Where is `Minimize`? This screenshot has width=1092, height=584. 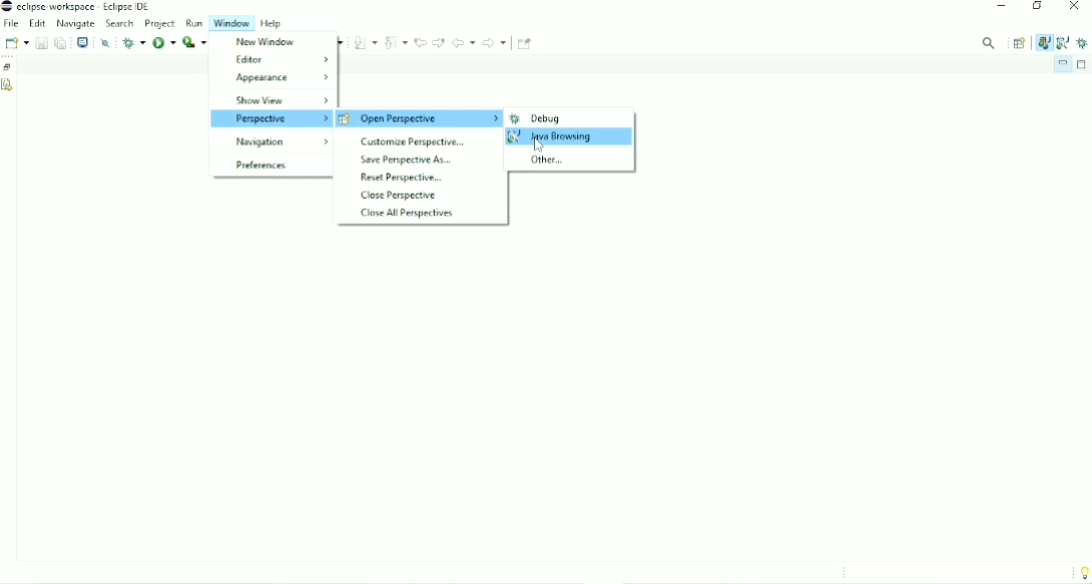
Minimize is located at coordinates (1062, 64).